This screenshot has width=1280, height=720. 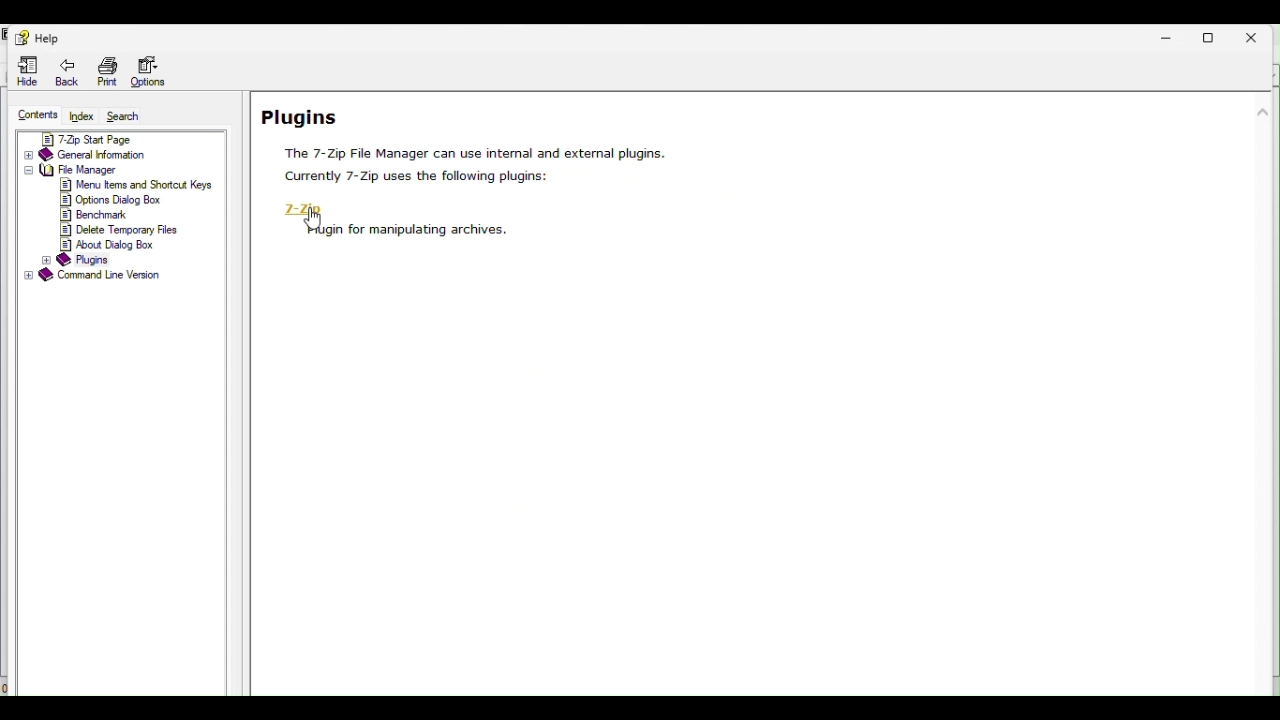 What do you see at coordinates (311, 221) in the screenshot?
I see `click` at bounding box center [311, 221].